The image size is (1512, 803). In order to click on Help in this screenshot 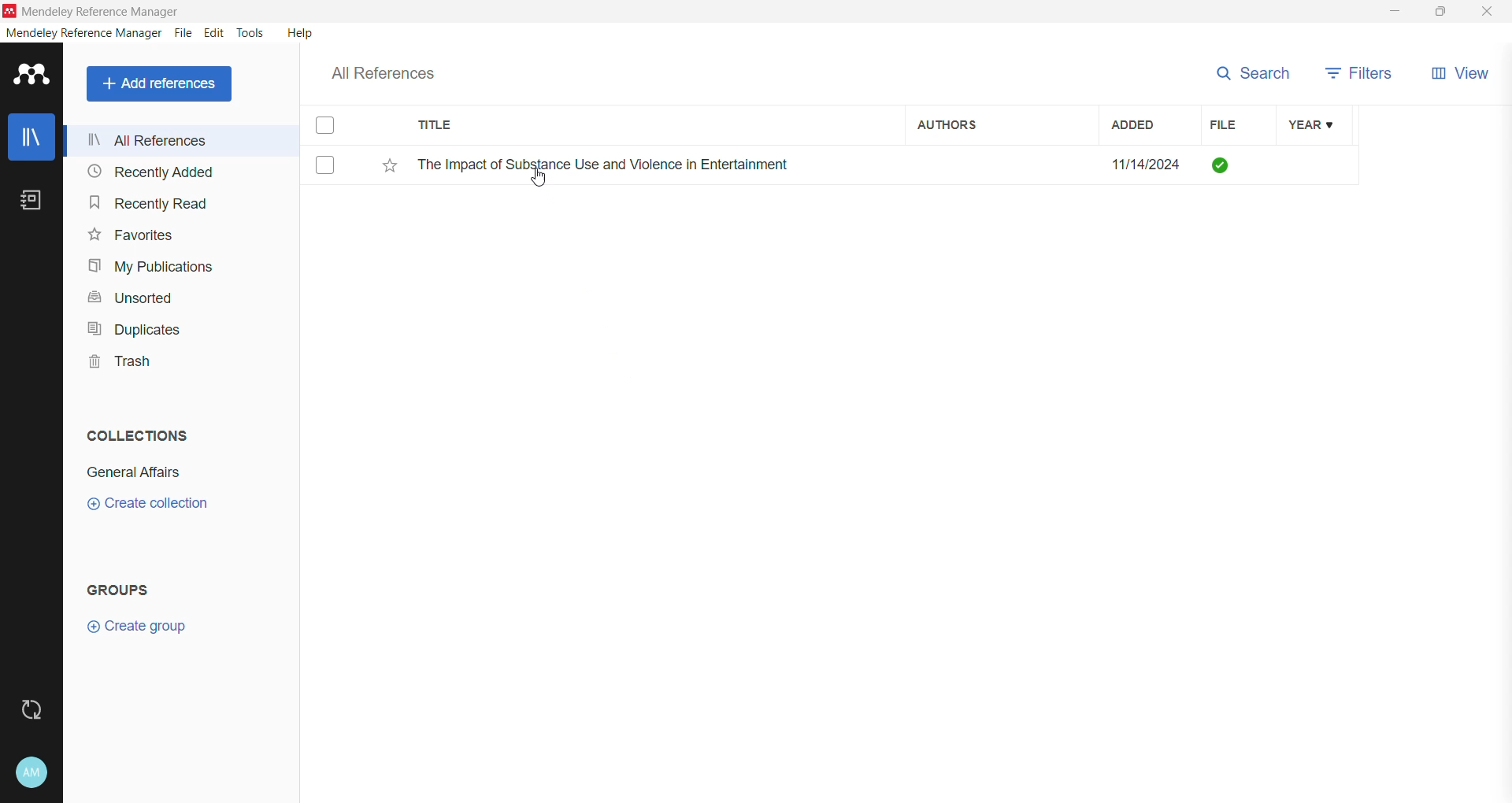, I will do `click(298, 32)`.